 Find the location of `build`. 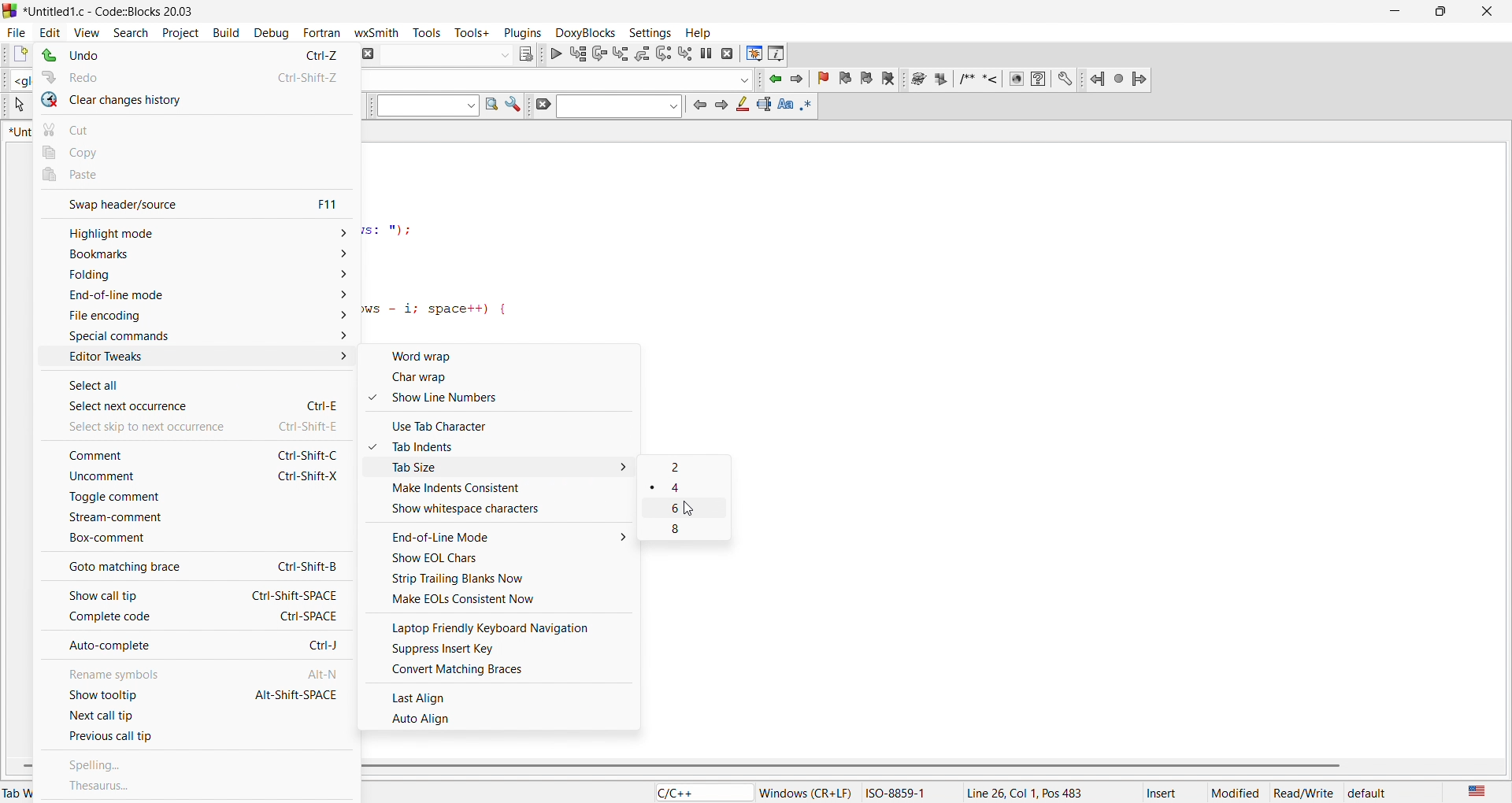

build is located at coordinates (222, 31).